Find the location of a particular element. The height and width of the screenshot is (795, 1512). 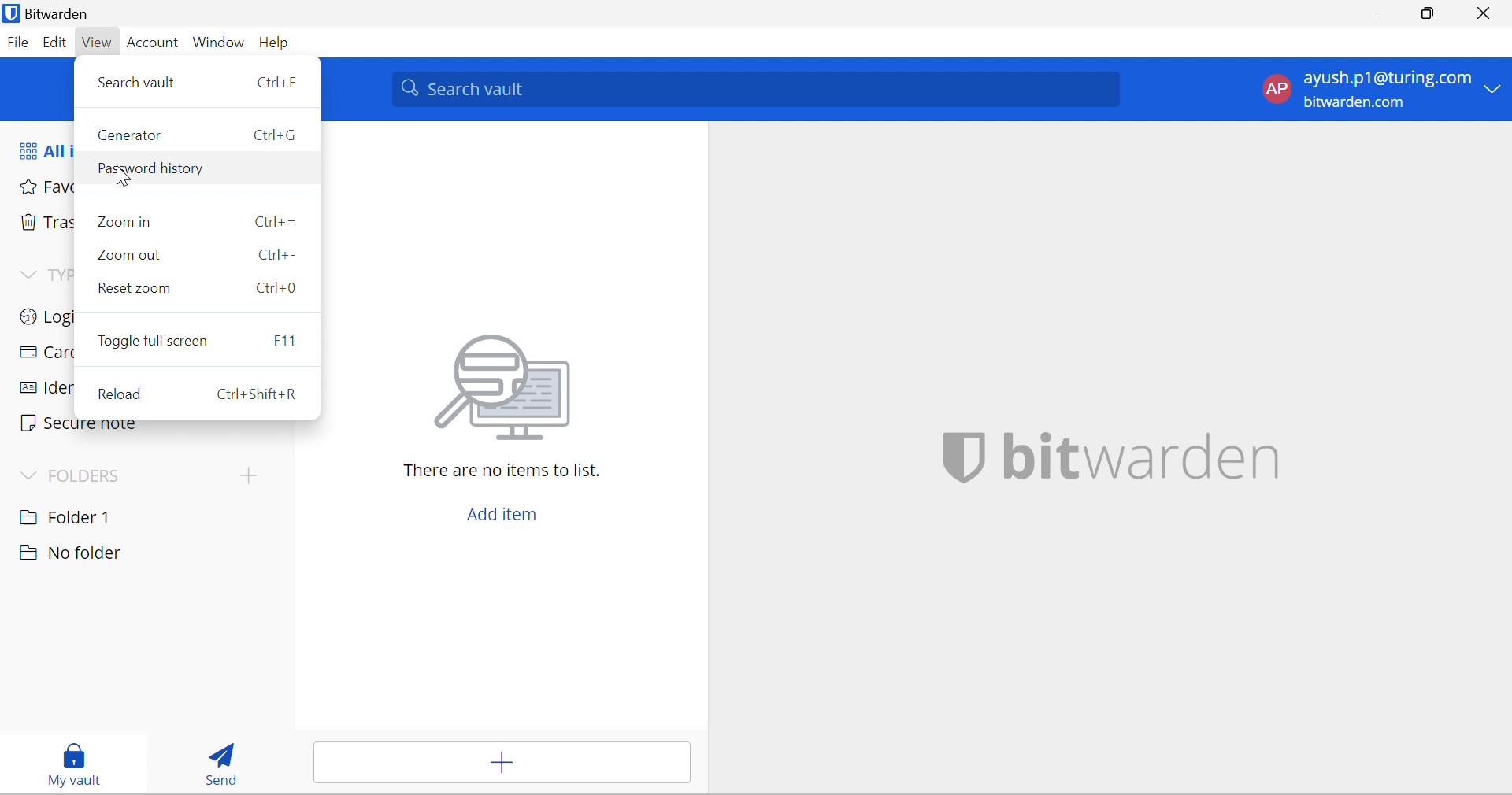

Help is located at coordinates (280, 43).